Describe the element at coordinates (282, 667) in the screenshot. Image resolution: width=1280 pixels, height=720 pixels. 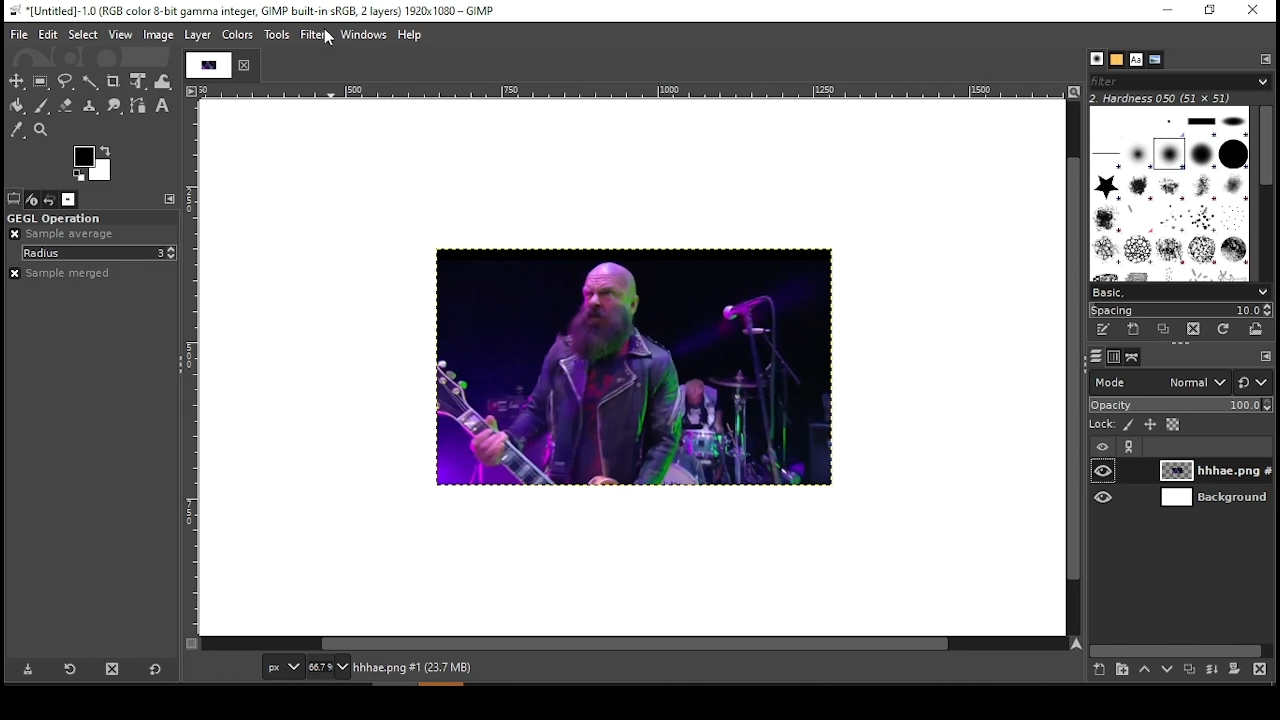
I see `units` at that location.